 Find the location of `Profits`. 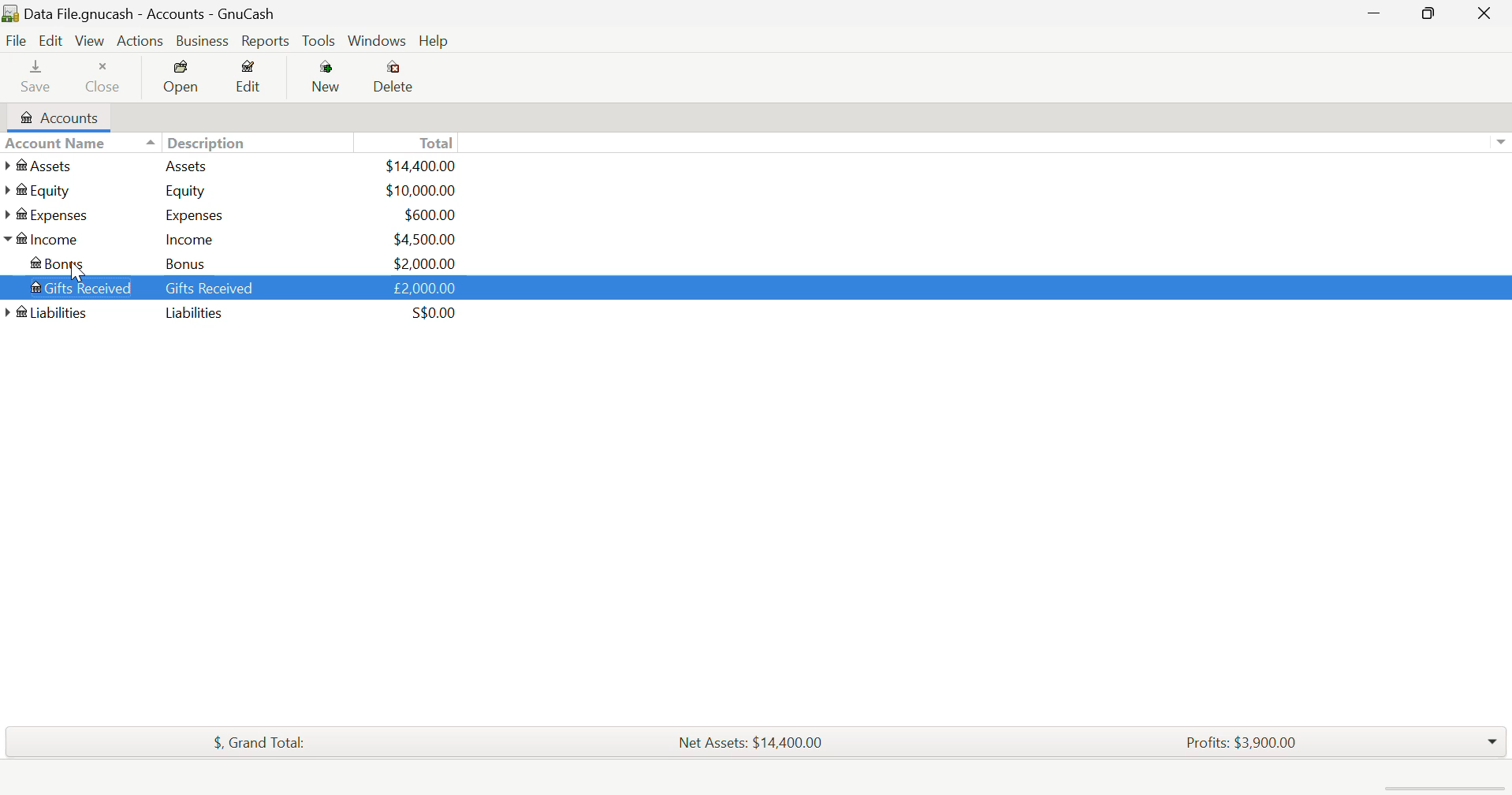

Profits is located at coordinates (1246, 741).